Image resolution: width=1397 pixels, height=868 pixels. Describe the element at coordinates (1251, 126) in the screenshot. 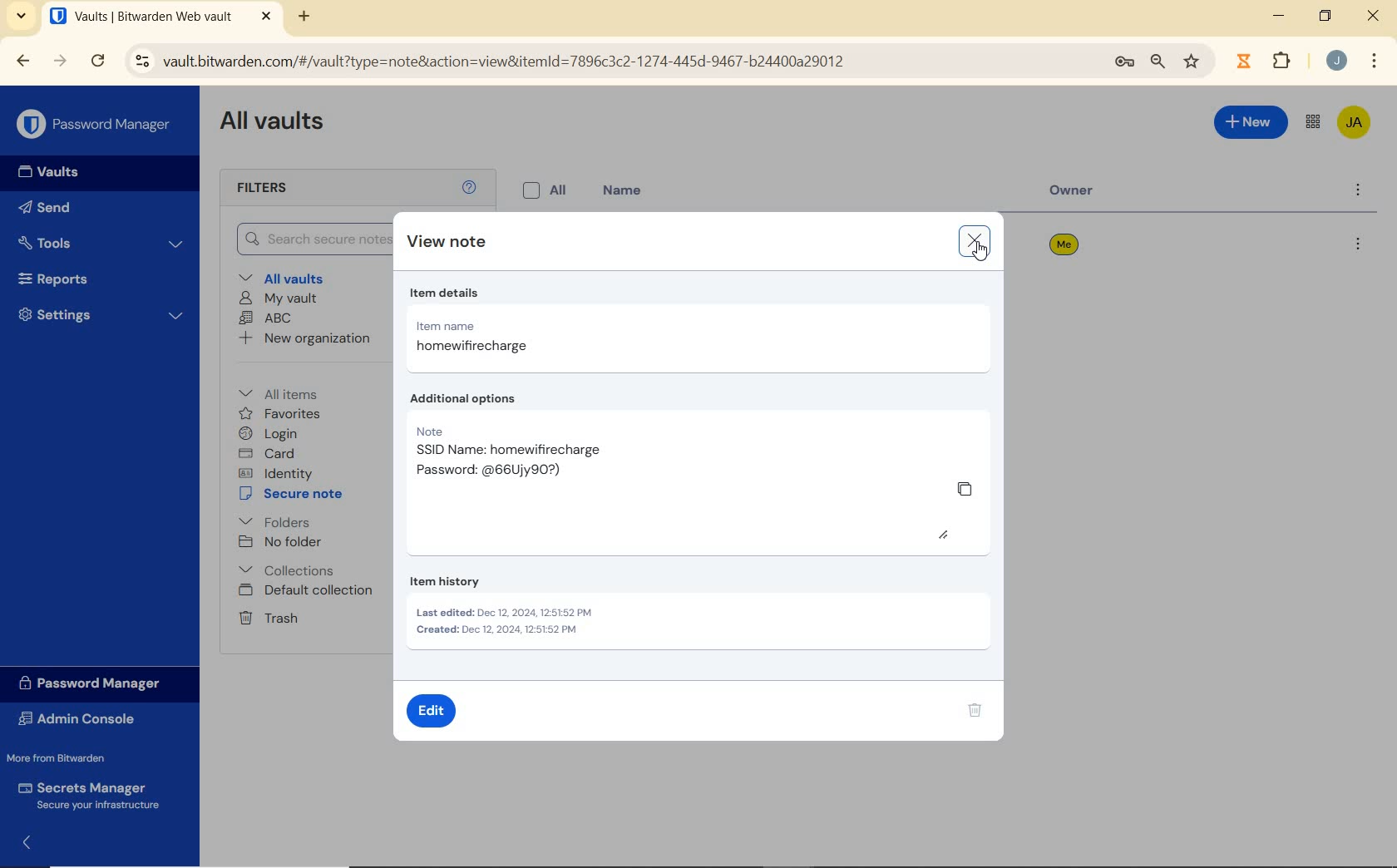

I see `New` at that location.